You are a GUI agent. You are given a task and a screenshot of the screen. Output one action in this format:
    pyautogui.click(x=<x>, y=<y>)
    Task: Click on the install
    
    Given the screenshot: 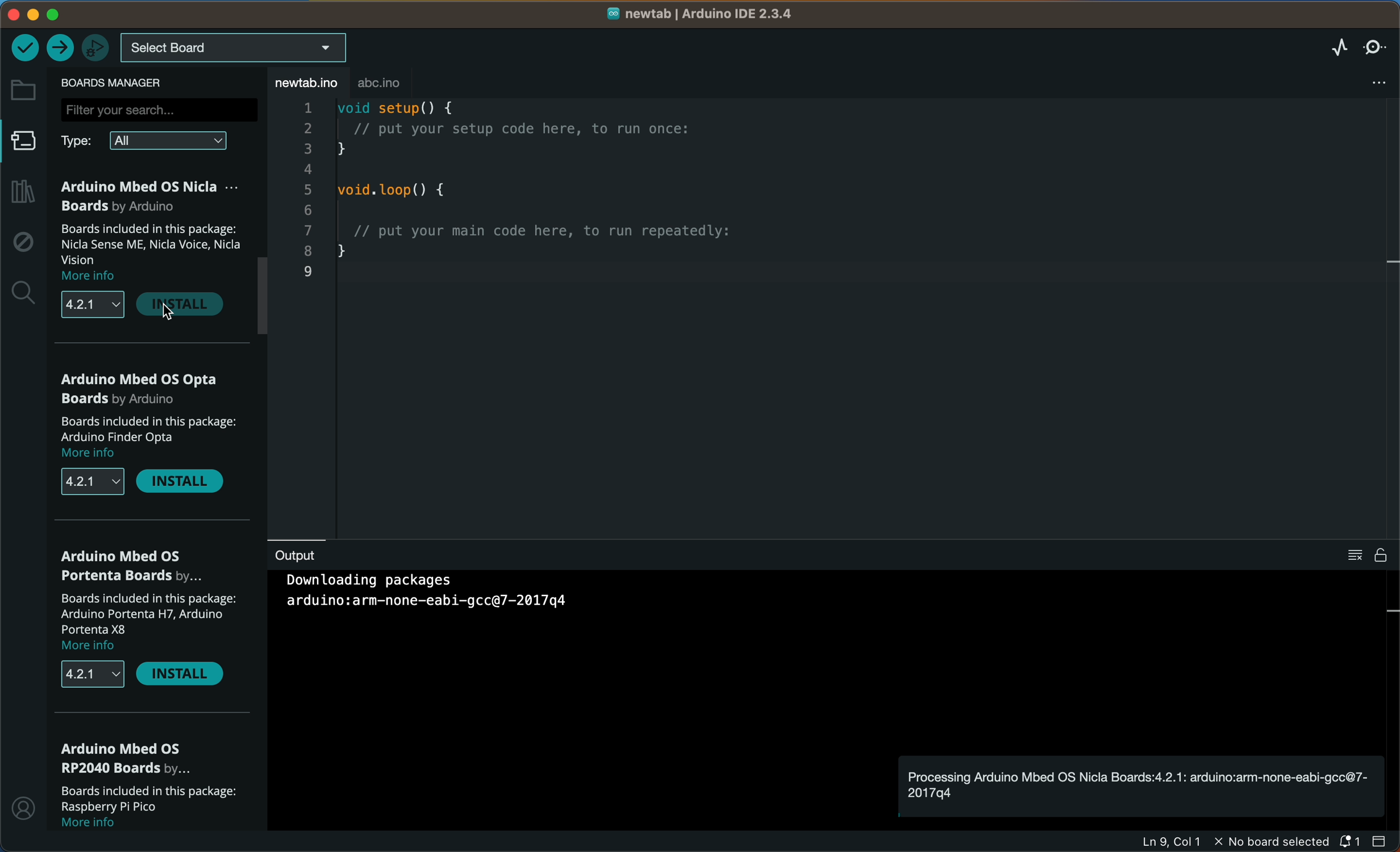 What is the action you would take?
    pyautogui.click(x=177, y=484)
    